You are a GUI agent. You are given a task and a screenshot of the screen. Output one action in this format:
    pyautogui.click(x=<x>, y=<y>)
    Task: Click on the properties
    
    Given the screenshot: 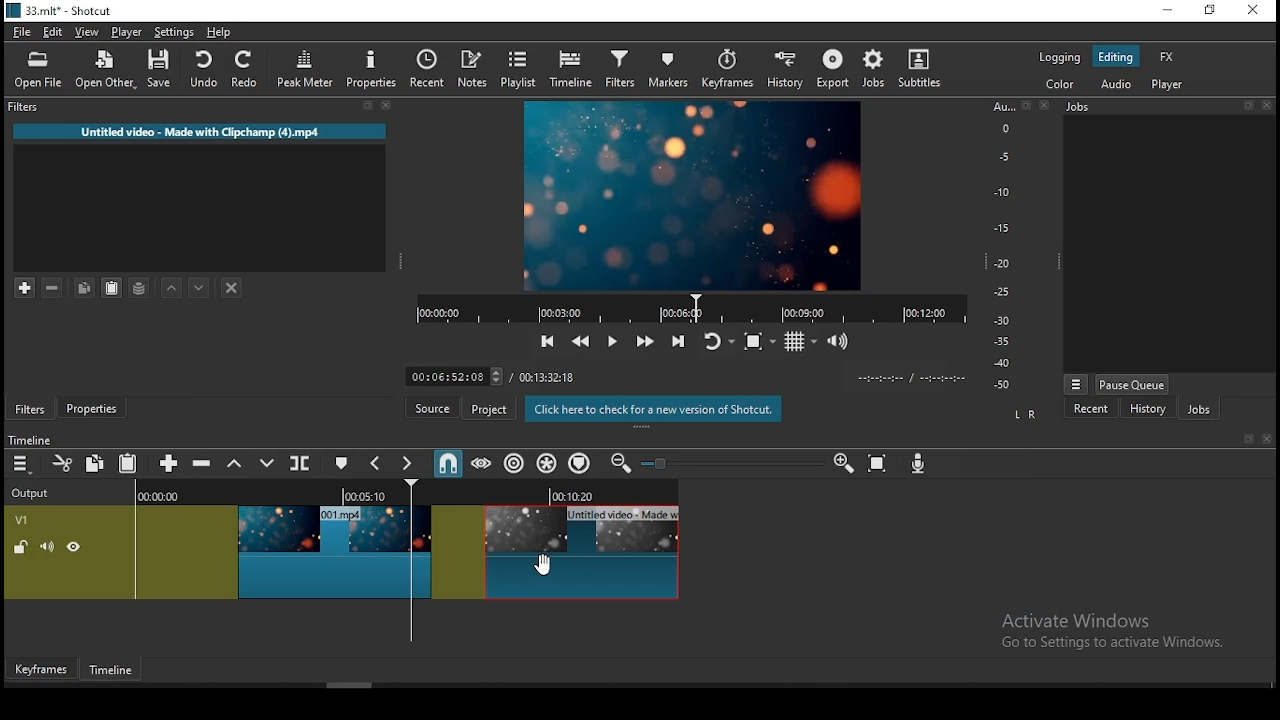 What is the action you would take?
    pyautogui.click(x=371, y=69)
    